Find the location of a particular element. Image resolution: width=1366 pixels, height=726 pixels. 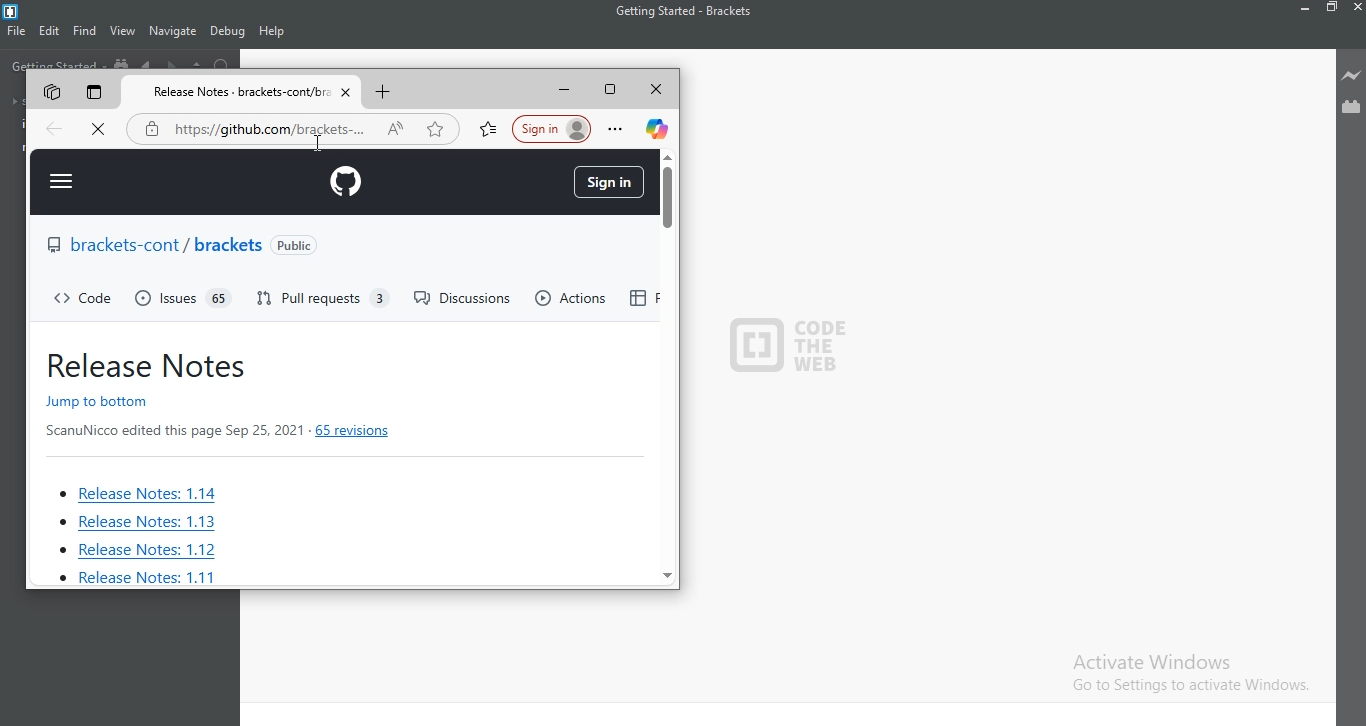

menu is located at coordinates (62, 182).